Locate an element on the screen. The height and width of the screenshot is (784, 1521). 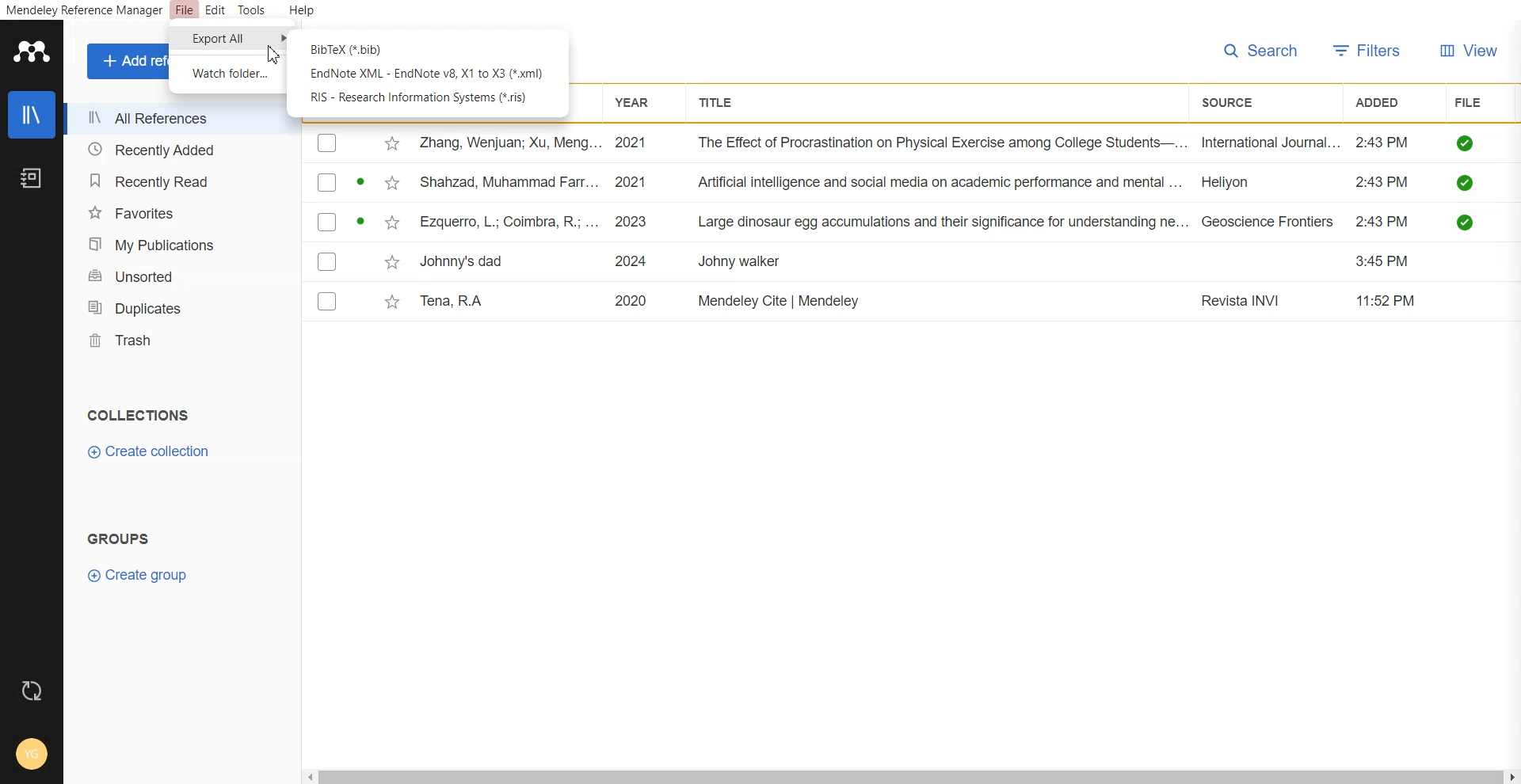
File is located at coordinates (185, 11).